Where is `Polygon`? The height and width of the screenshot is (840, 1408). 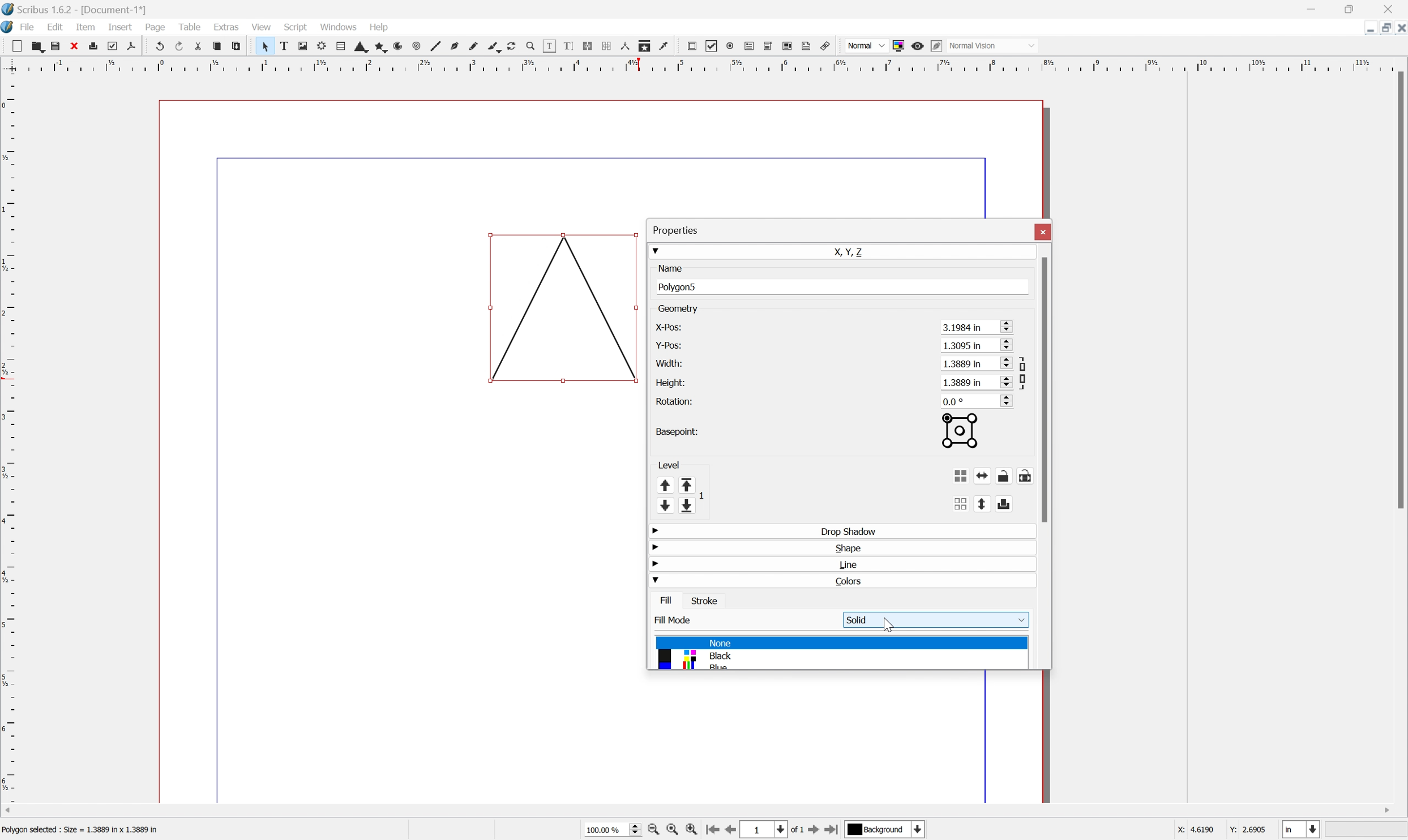 Polygon is located at coordinates (376, 47).